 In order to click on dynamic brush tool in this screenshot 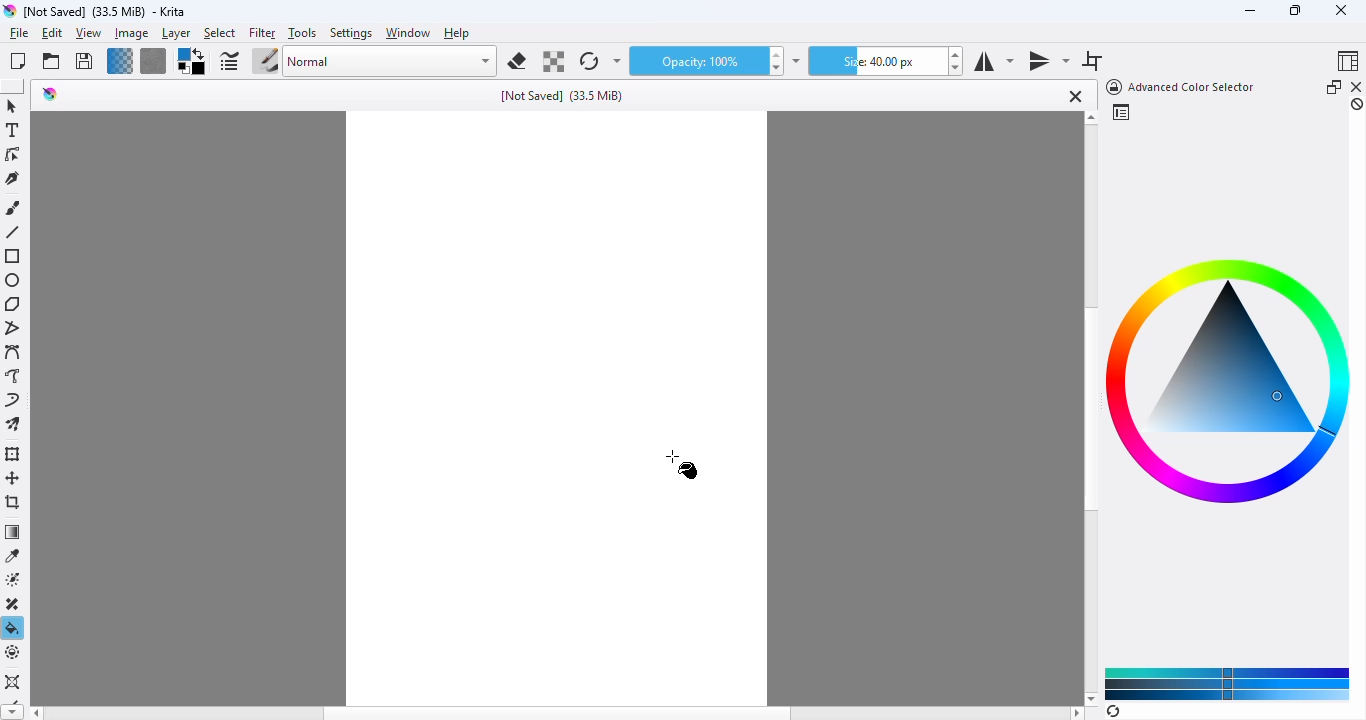, I will do `click(12, 399)`.